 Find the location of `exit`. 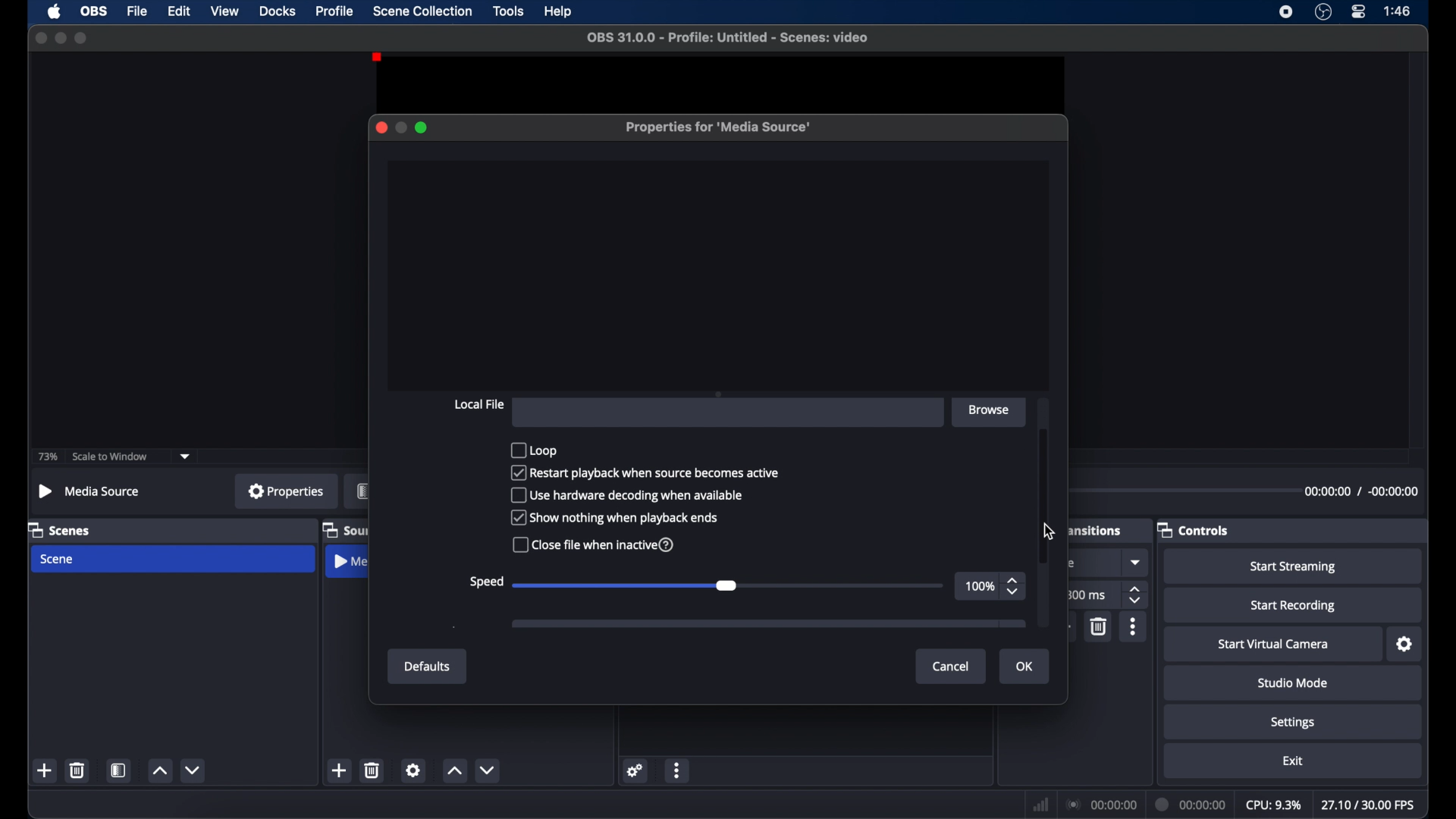

exit is located at coordinates (1294, 761).